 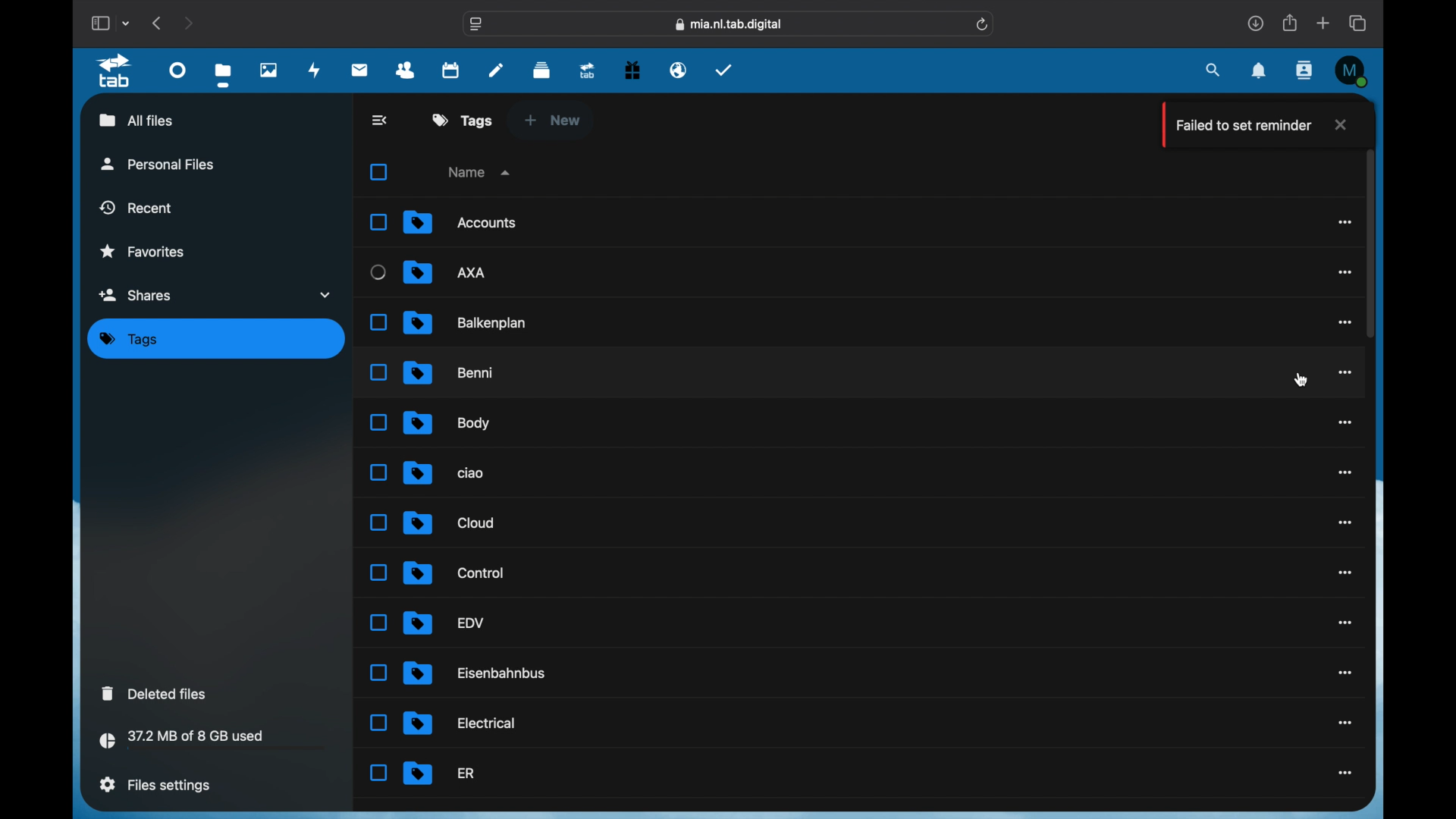 What do you see at coordinates (552, 120) in the screenshot?
I see `new` at bounding box center [552, 120].